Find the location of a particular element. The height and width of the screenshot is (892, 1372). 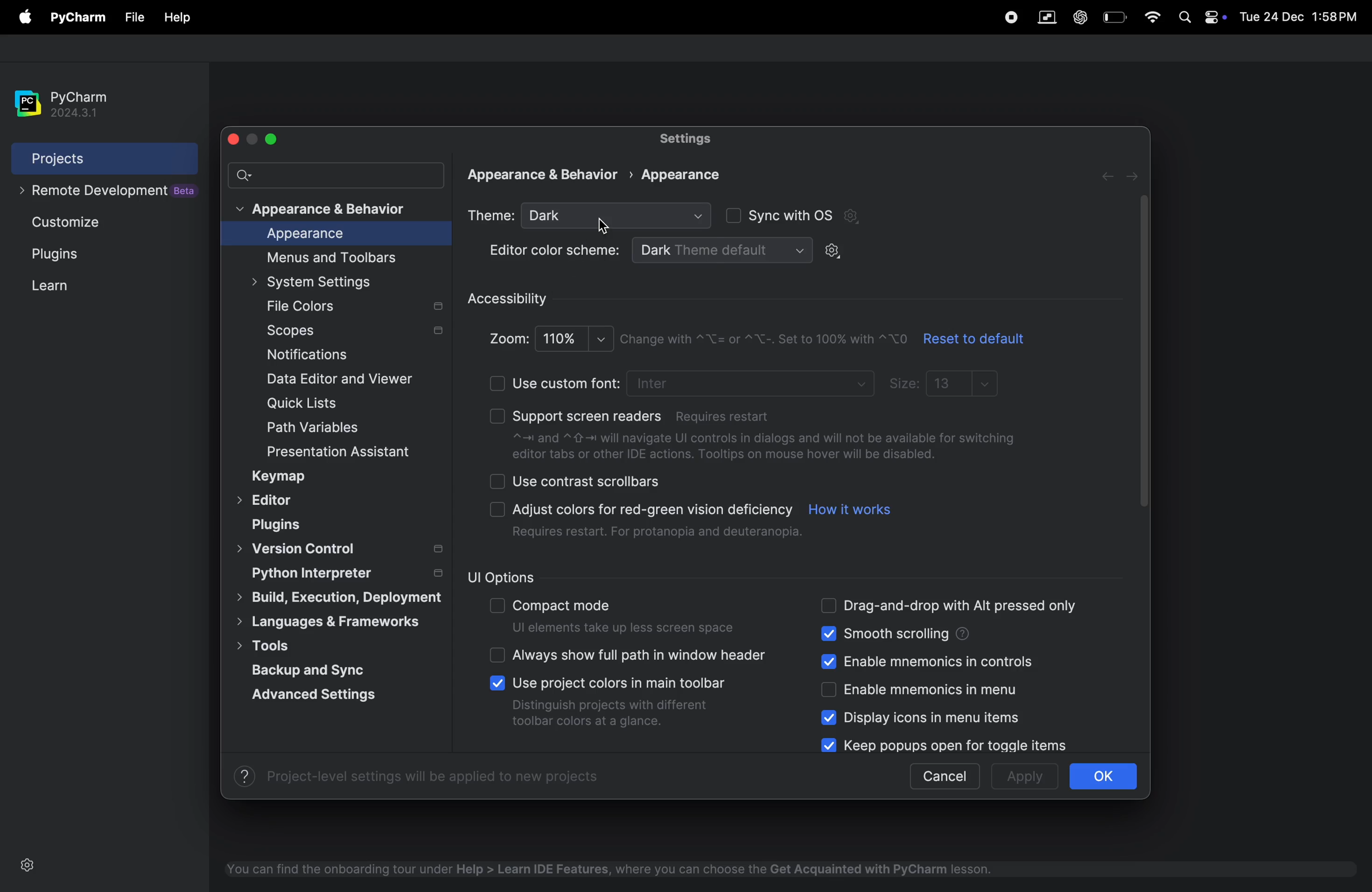

chatgpt is located at coordinates (1081, 14).